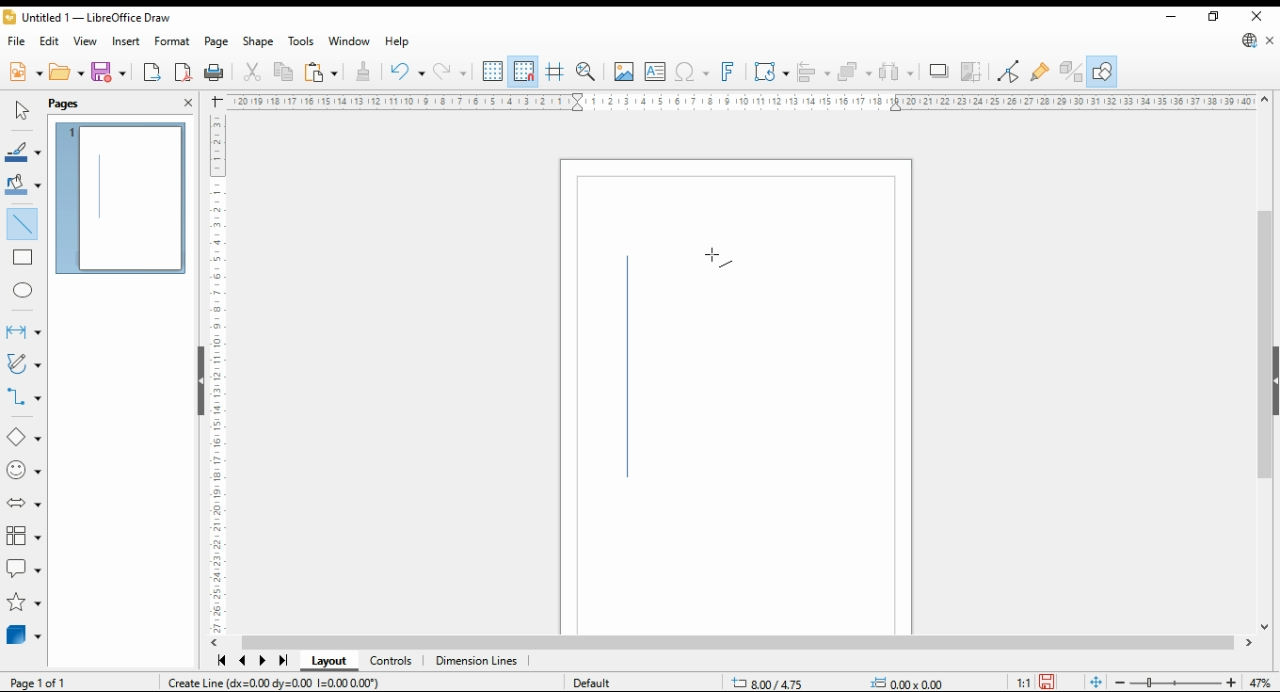  What do you see at coordinates (24, 74) in the screenshot?
I see `new` at bounding box center [24, 74].